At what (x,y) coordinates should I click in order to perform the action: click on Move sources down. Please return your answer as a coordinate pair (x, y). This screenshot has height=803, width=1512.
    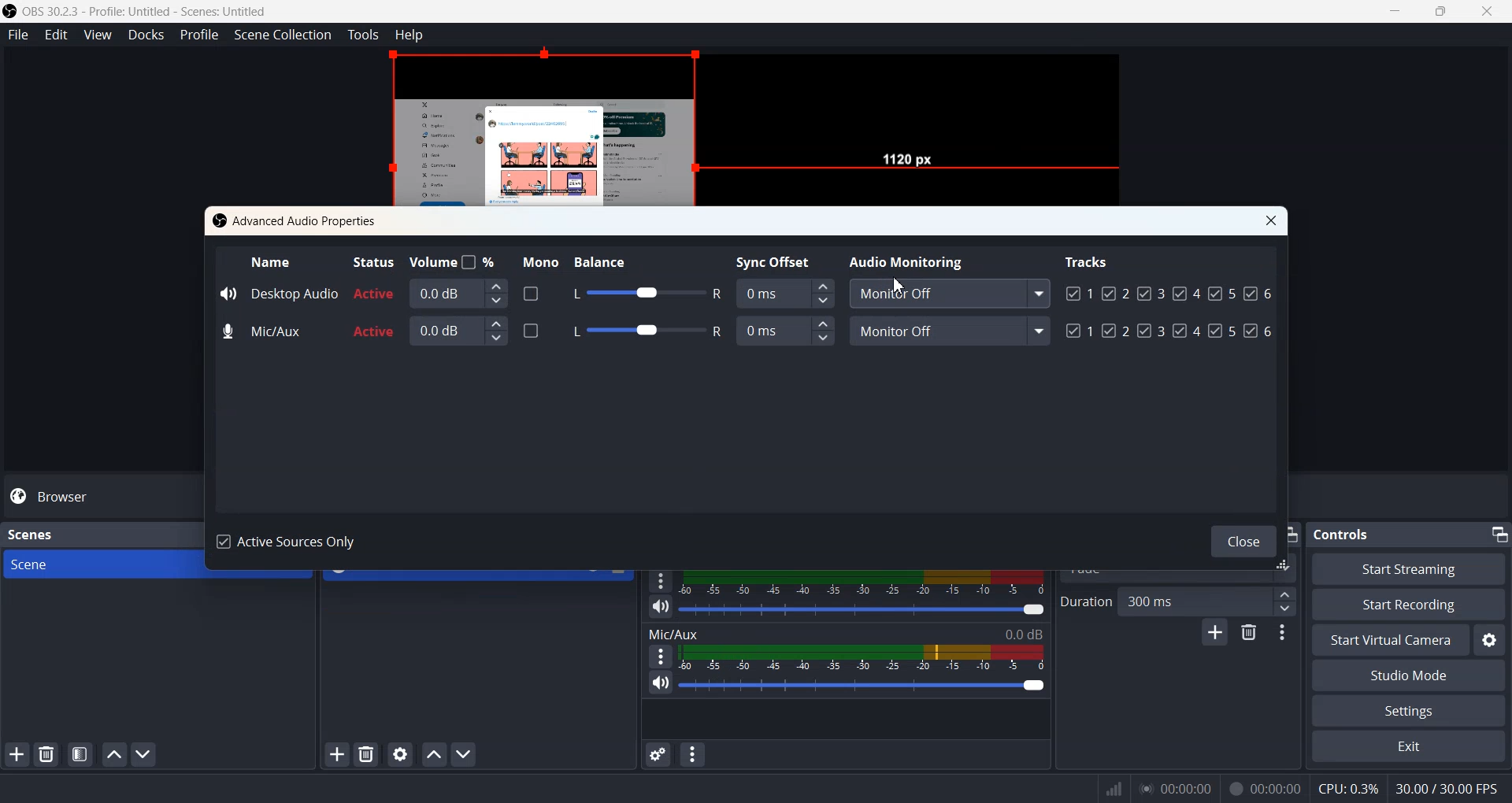
    Looking at the image, I should click on (465, 755).